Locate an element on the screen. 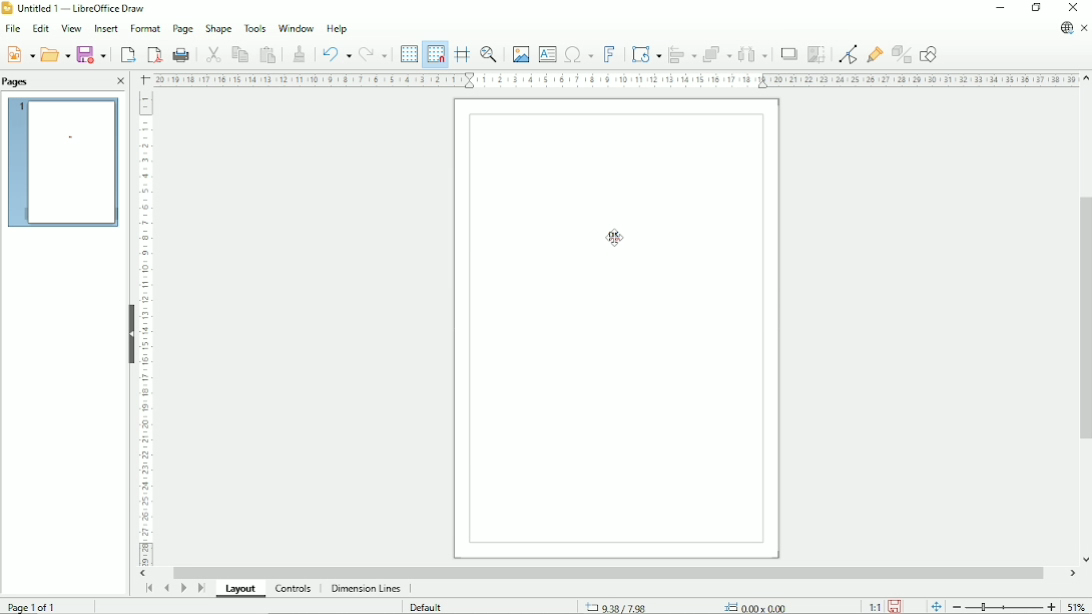 The image size is (1092, 614). Distribute is located at coordinates (754, 54).